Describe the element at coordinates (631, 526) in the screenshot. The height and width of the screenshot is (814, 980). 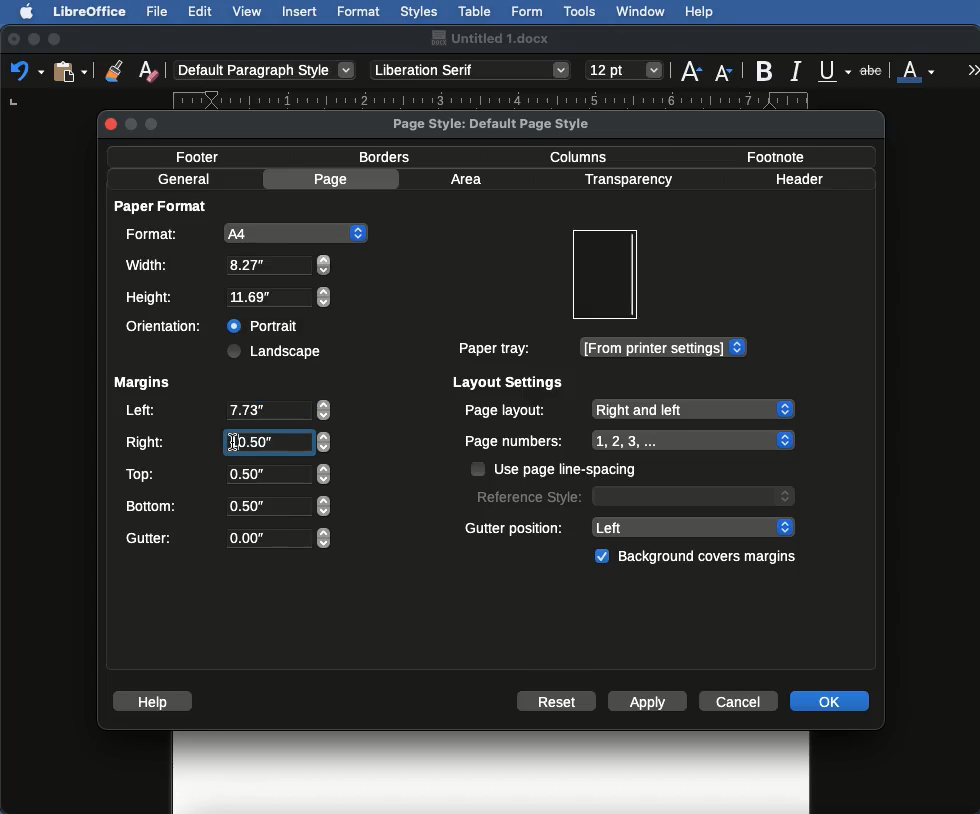
I see `Gutter position` at that location.